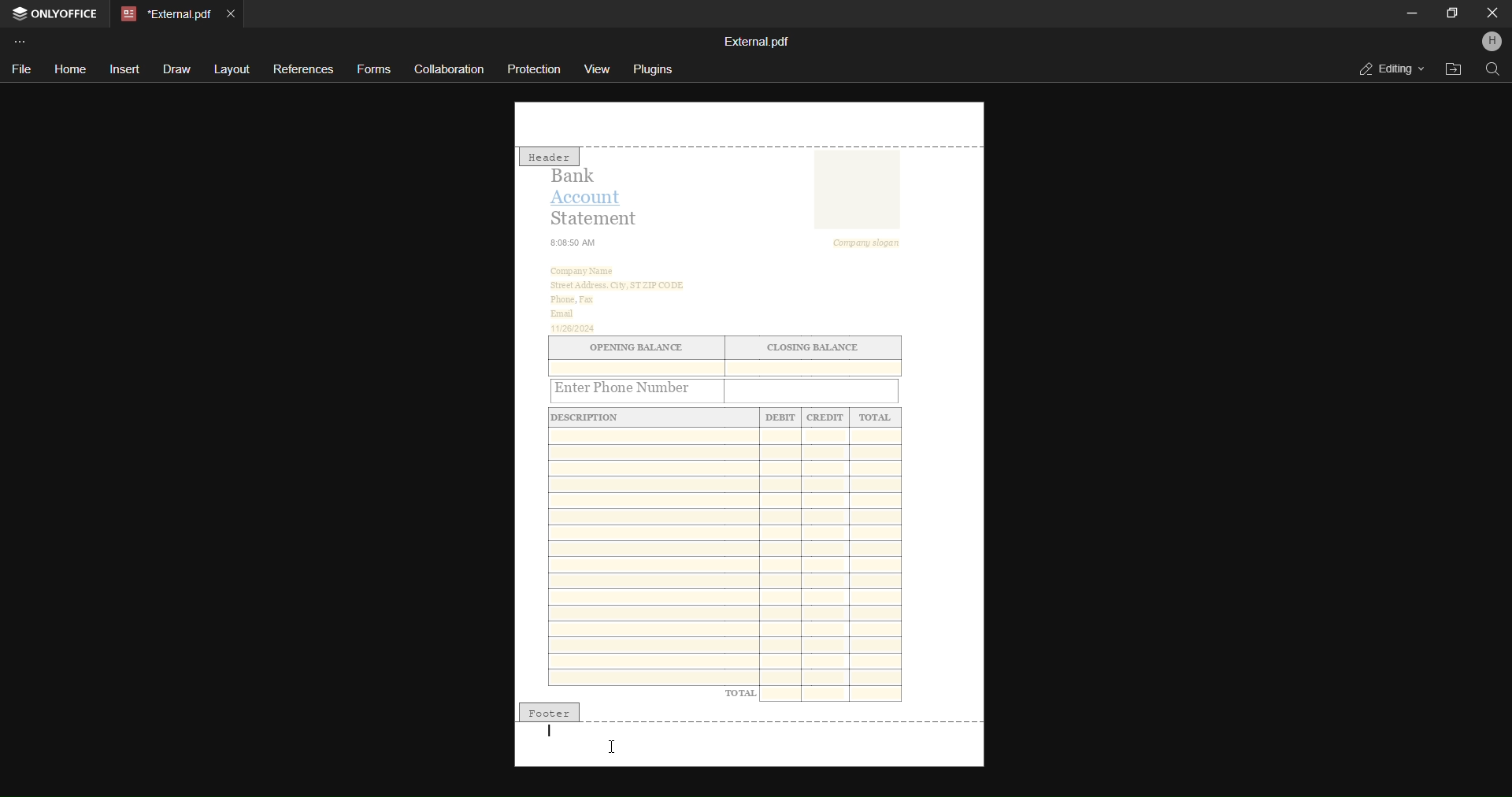  I want to click on editing, so click(1388, 68).